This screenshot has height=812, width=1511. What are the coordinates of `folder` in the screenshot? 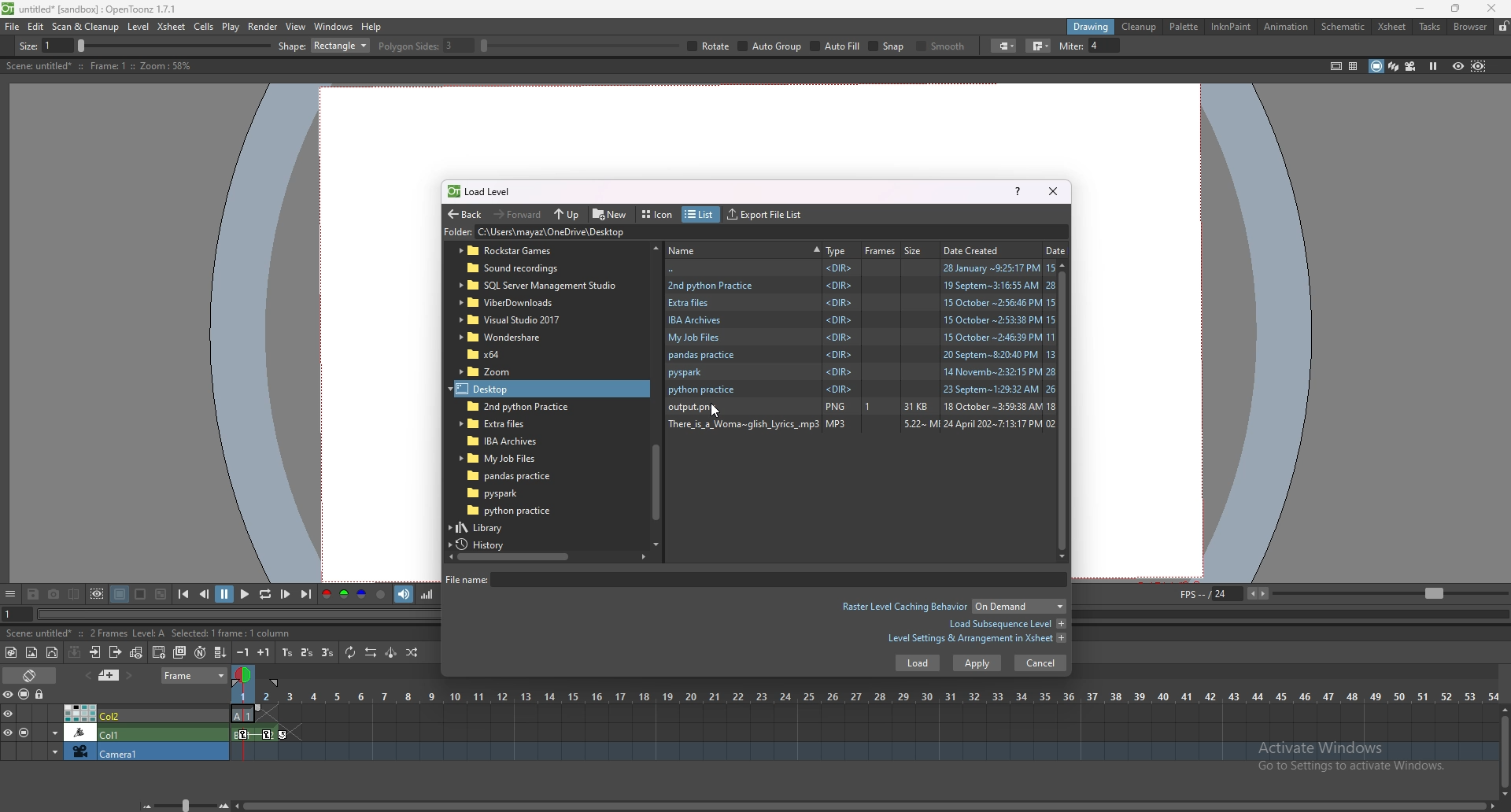 It's located at (860, 284).